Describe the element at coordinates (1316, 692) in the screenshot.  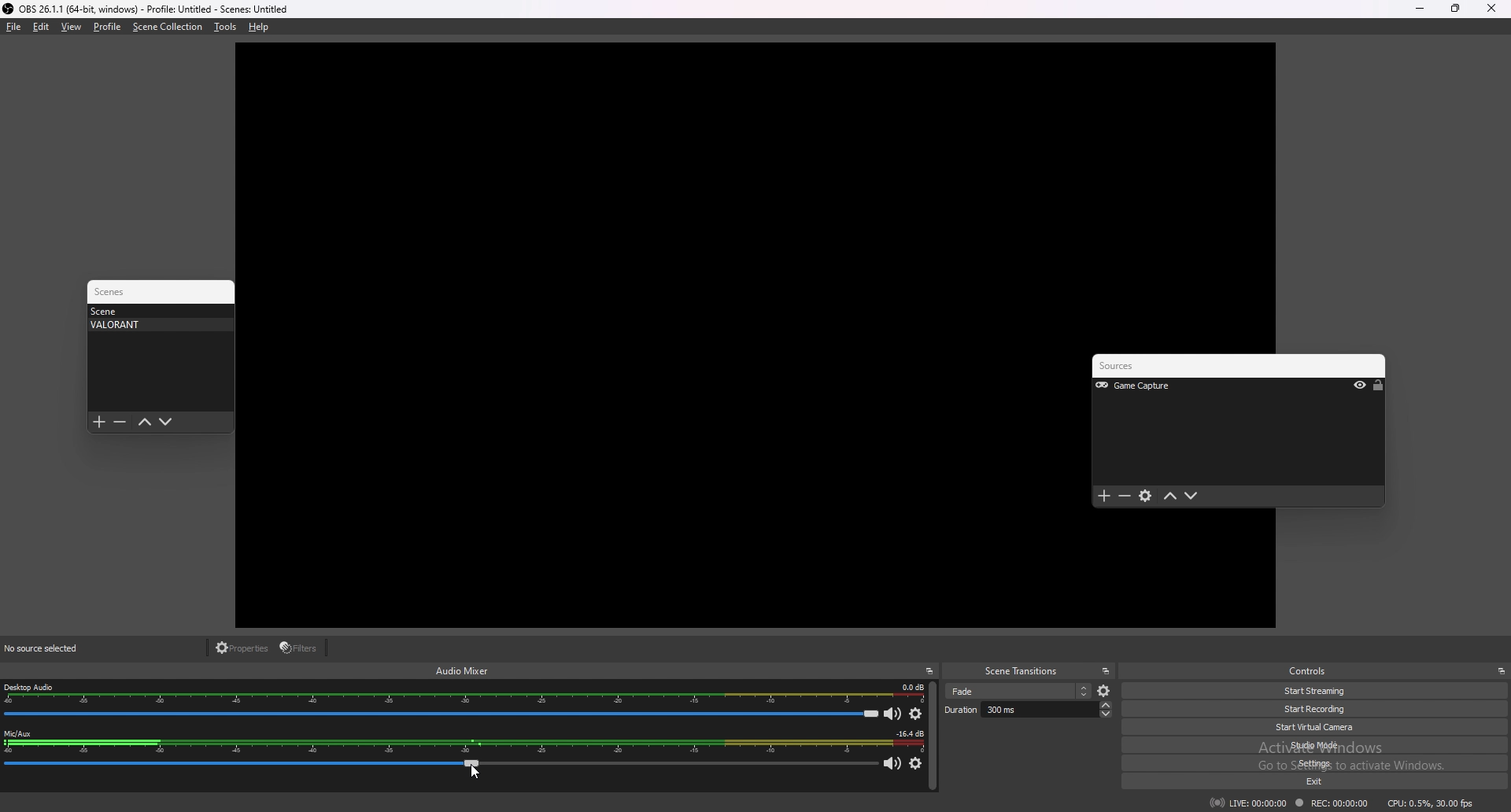
I see `start streaming` at that location.